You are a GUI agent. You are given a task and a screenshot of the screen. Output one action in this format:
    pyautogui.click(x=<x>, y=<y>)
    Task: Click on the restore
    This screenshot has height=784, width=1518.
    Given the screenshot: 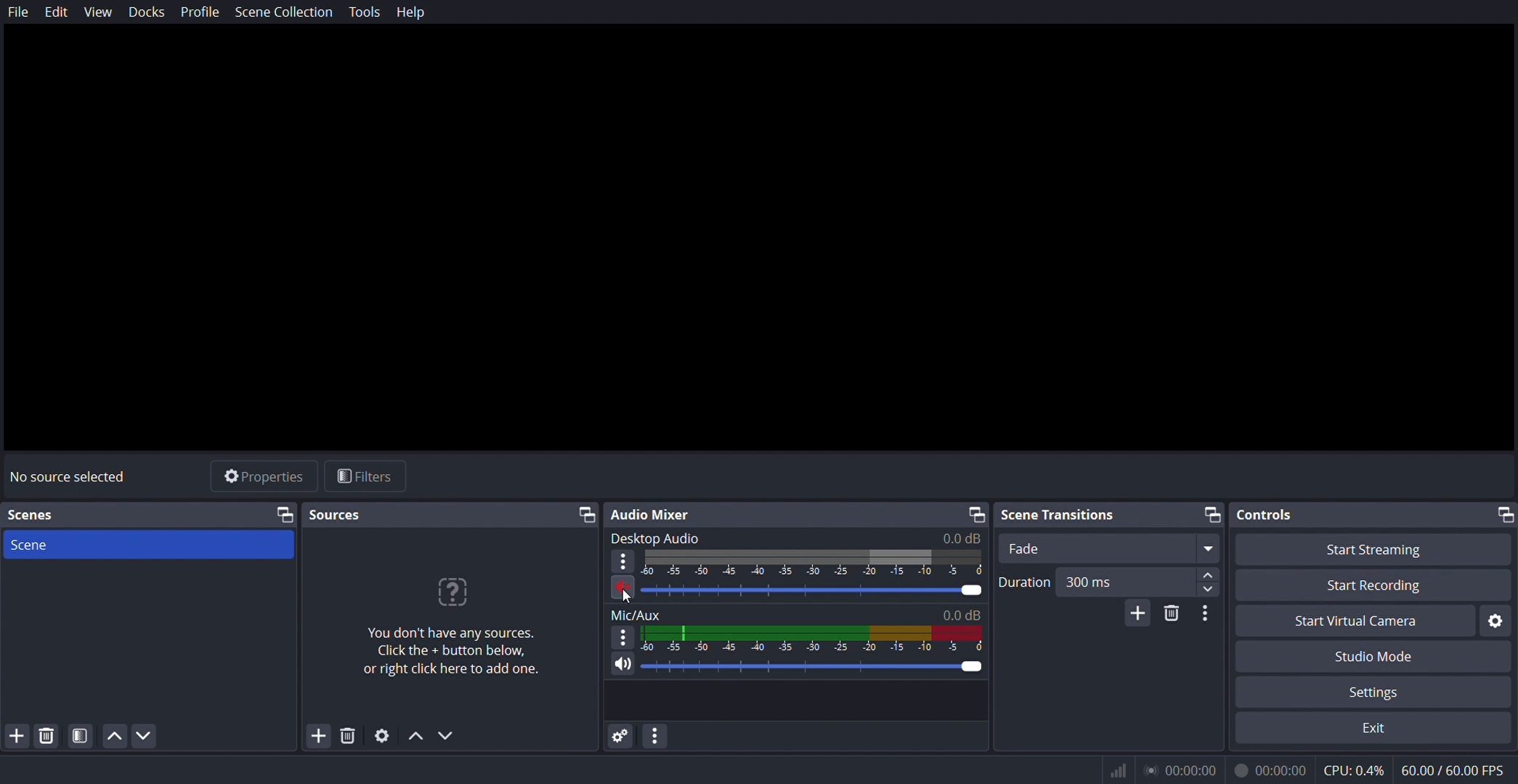 What is the action you would take?
    pyautogui.click(x=1500, y=515)
    